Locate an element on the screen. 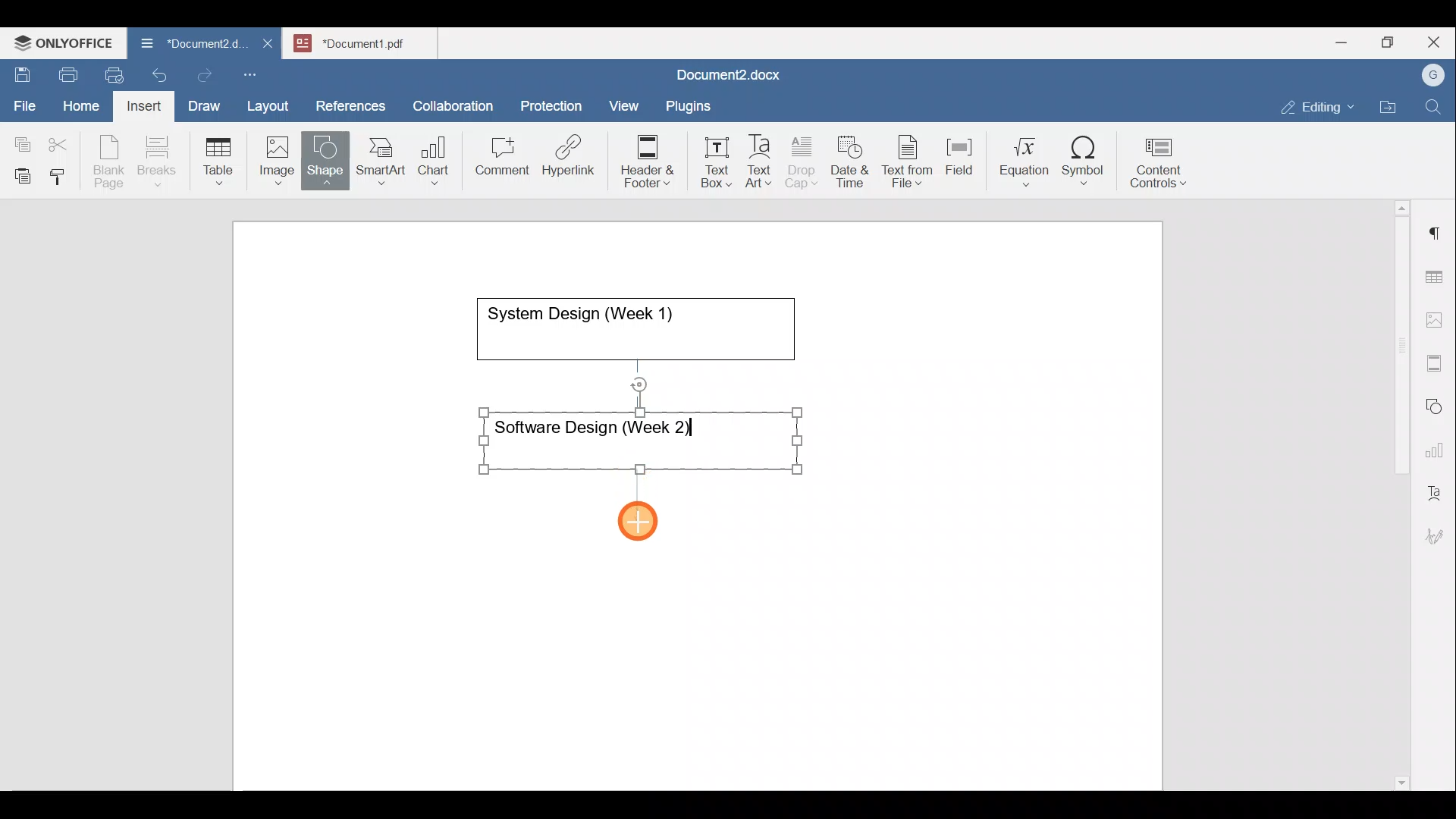 The width and height of the screenshot is (1456, 819). Protection is located at coordinates (556, 104).